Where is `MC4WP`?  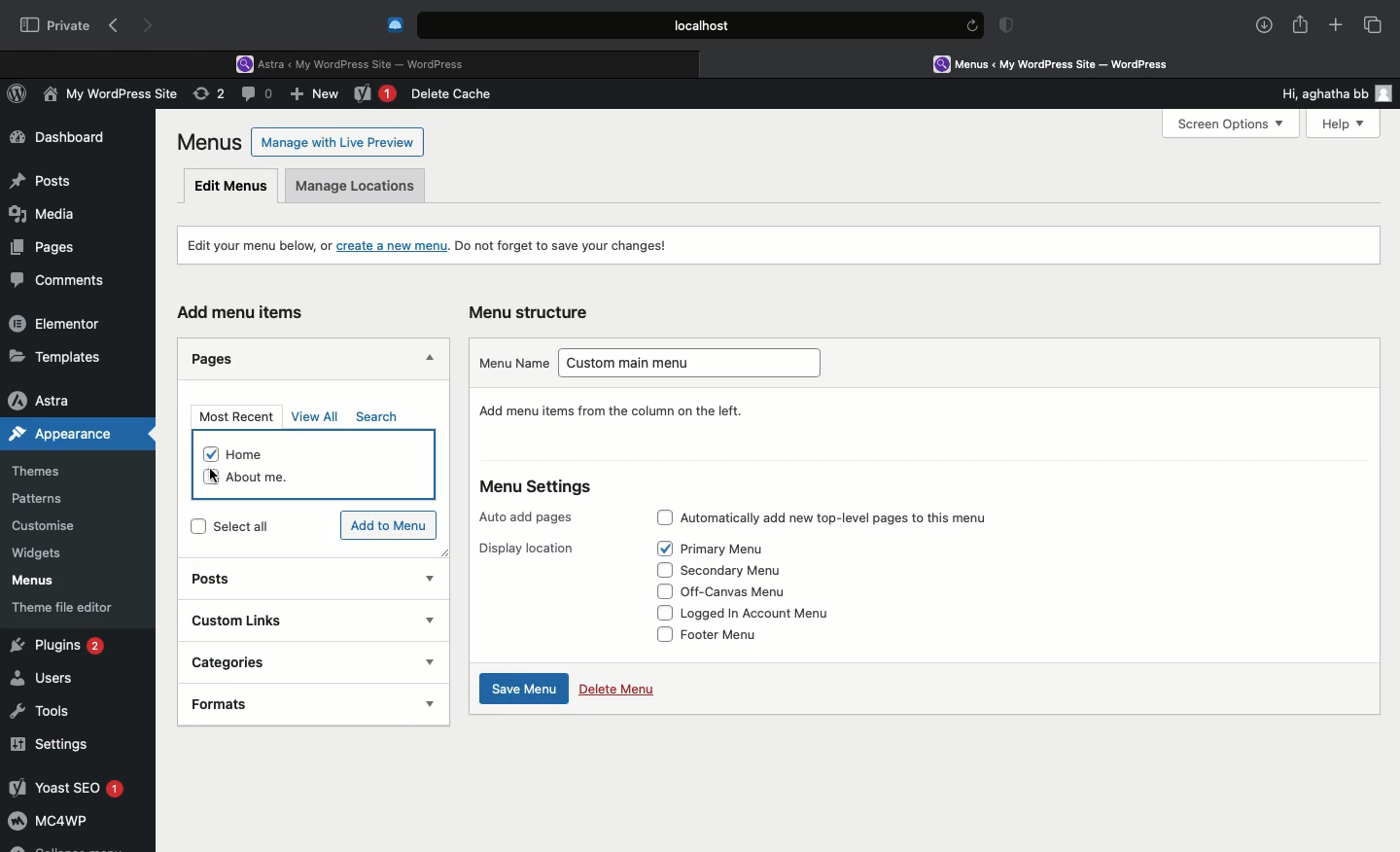
MC4WP is located at coordinates (49, 824).